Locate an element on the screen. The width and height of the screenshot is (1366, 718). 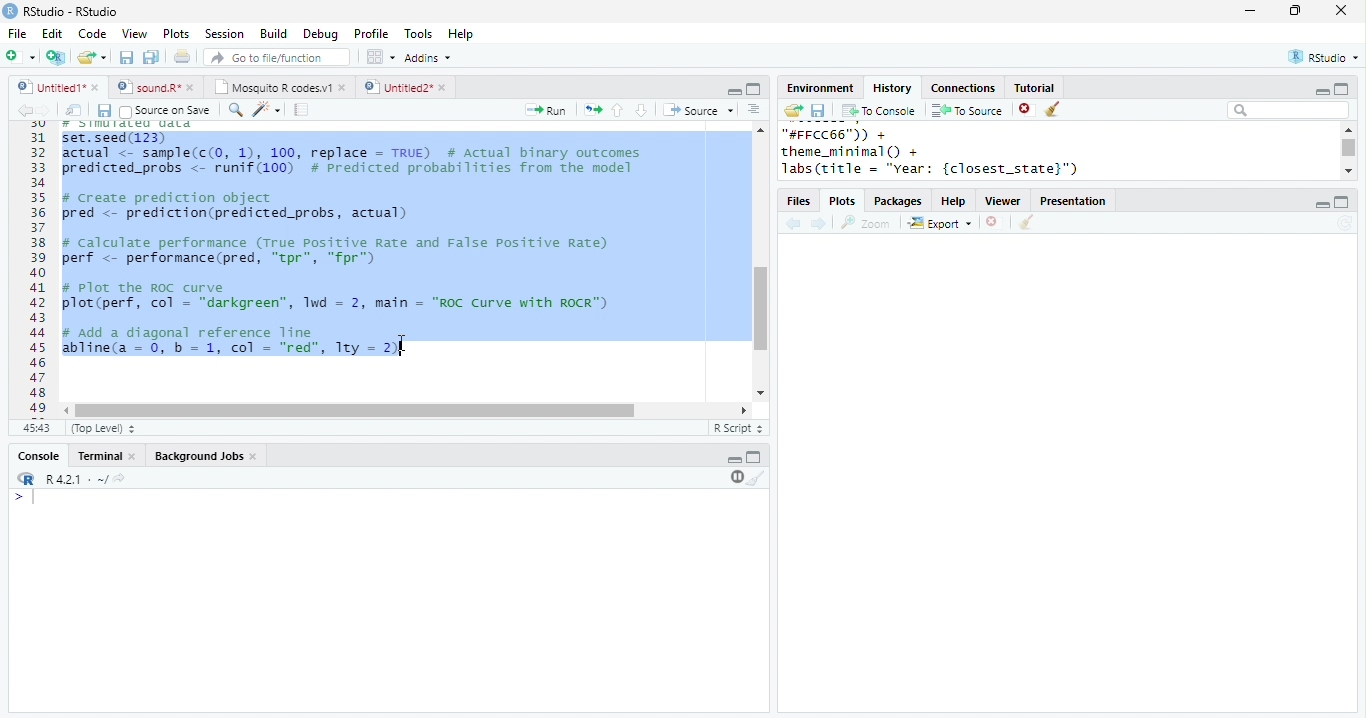
show in new window is located at coordinates (75, 110).